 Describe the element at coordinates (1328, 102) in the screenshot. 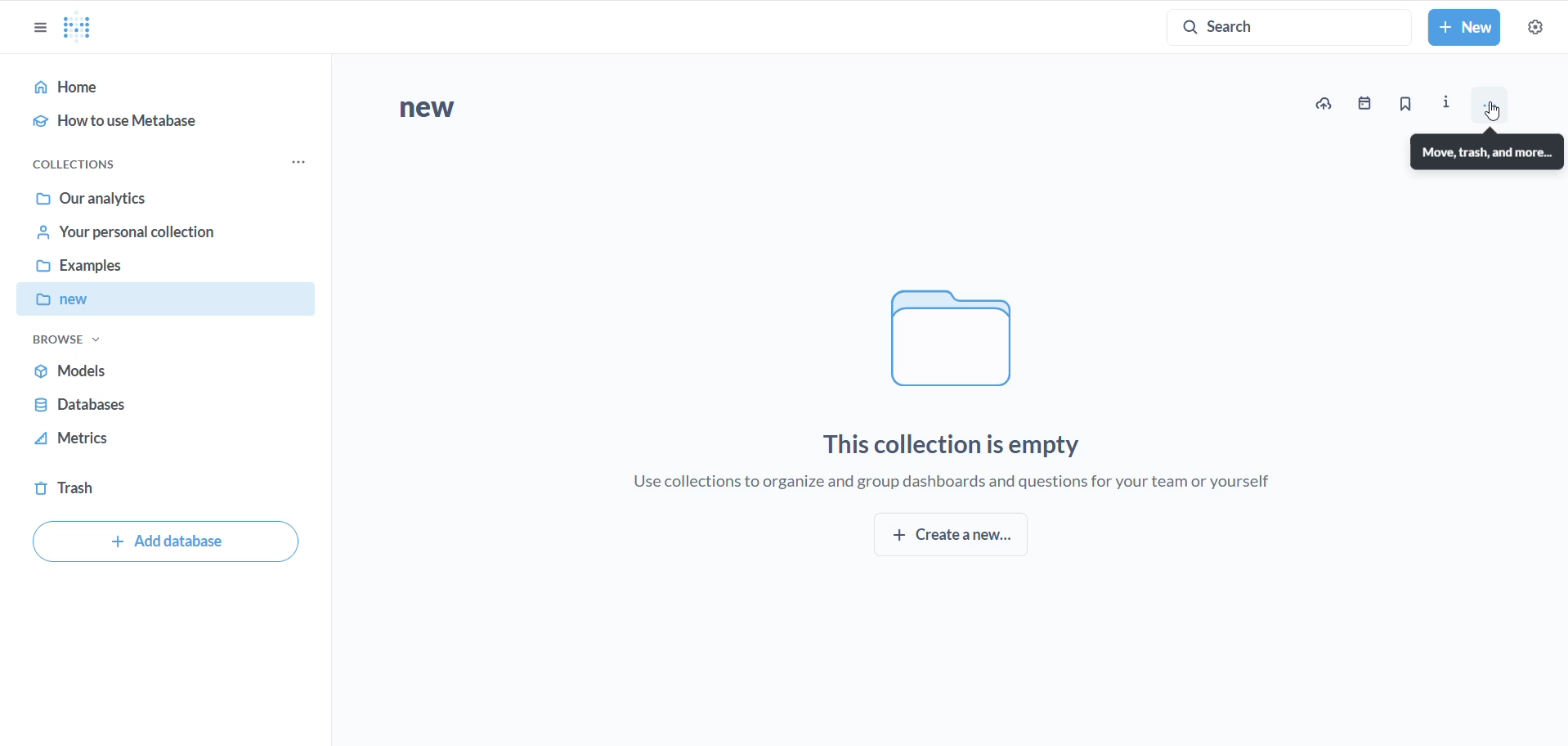

I see `upload` at that location.